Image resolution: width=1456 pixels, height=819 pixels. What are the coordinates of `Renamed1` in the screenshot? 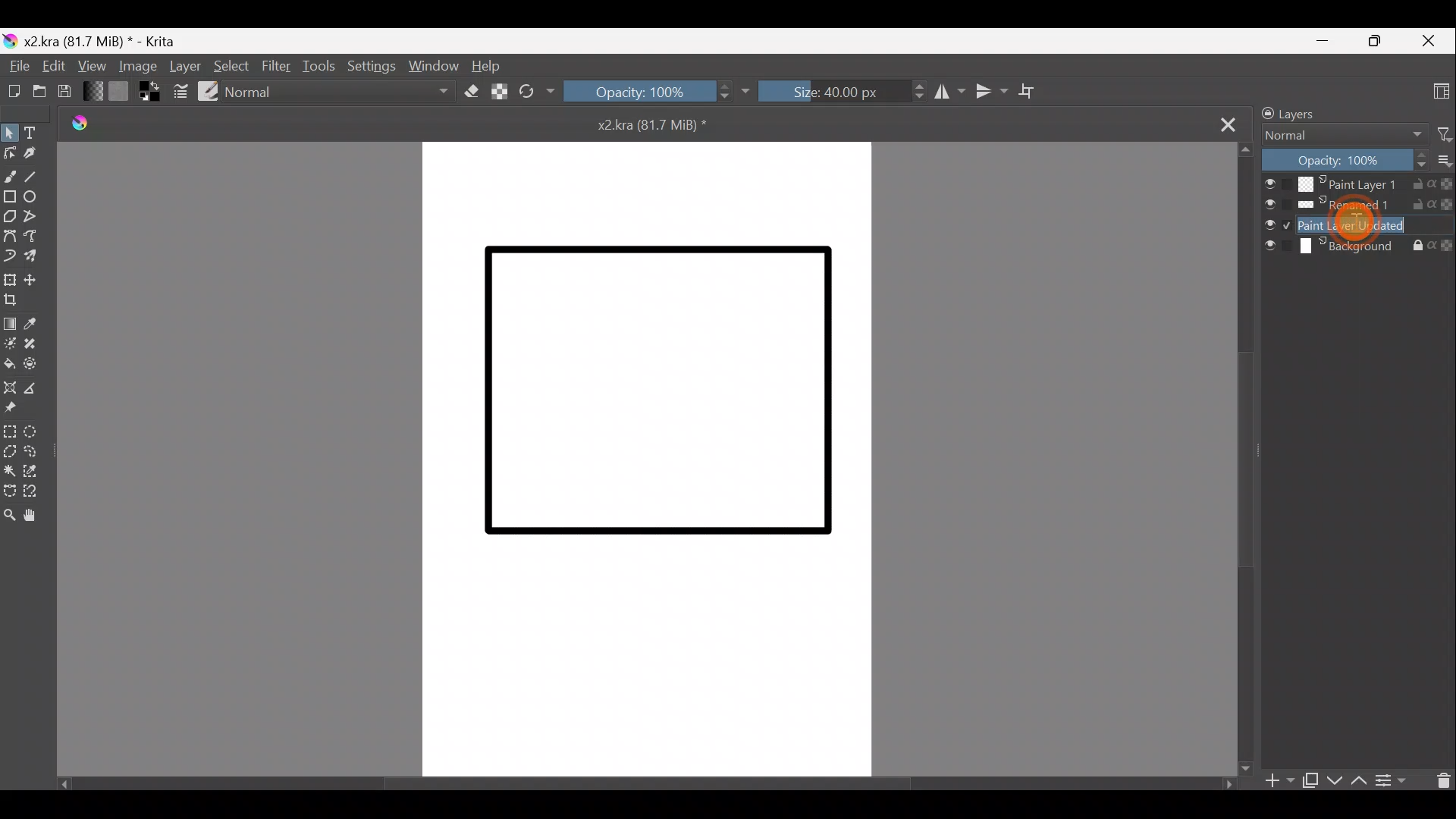 It's located at (1358, 206).